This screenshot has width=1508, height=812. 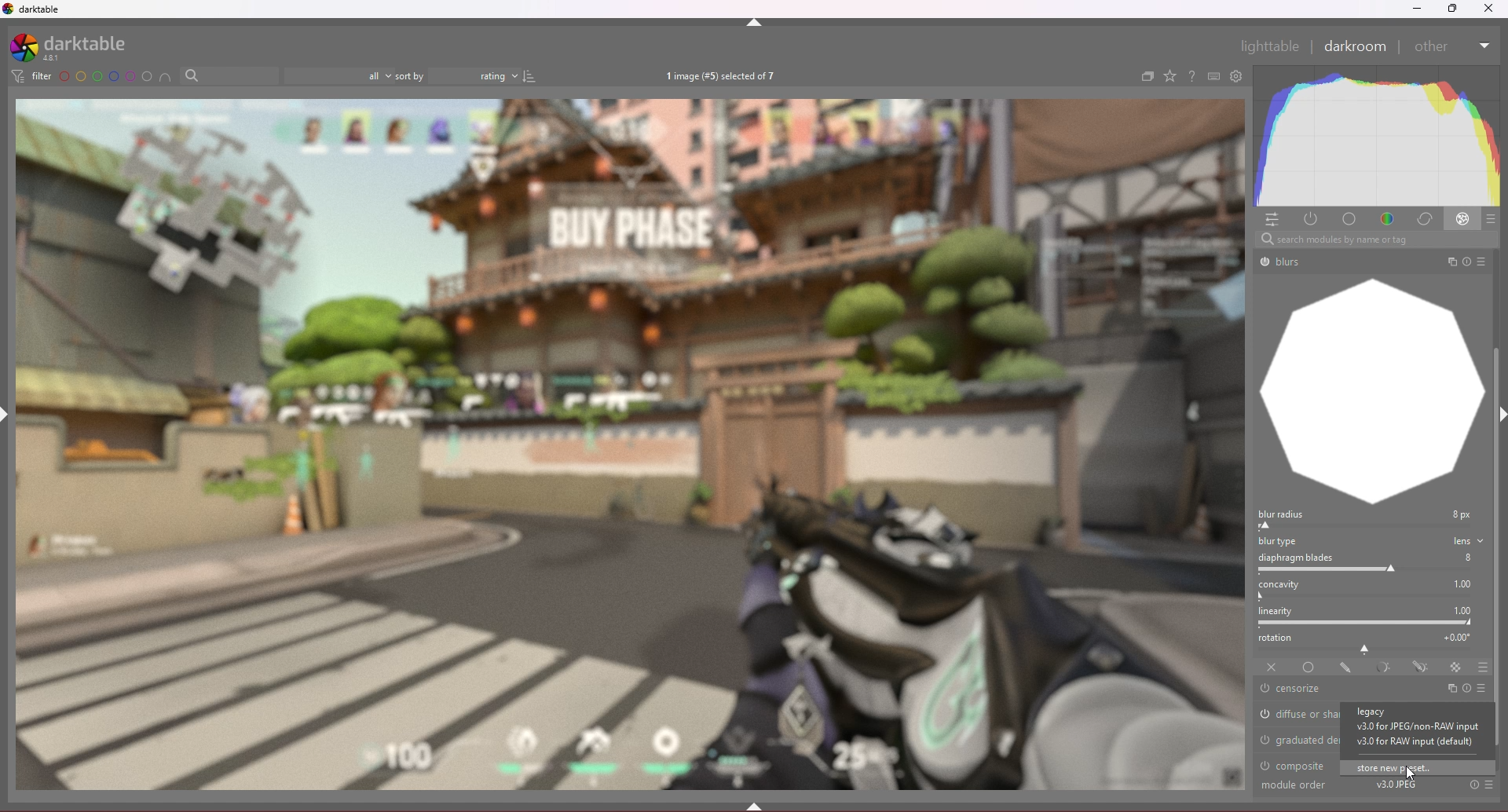 What do you see at coordinates (39, 9) in the screenshot?
I see `darktable` at bounding box center [39, 9].